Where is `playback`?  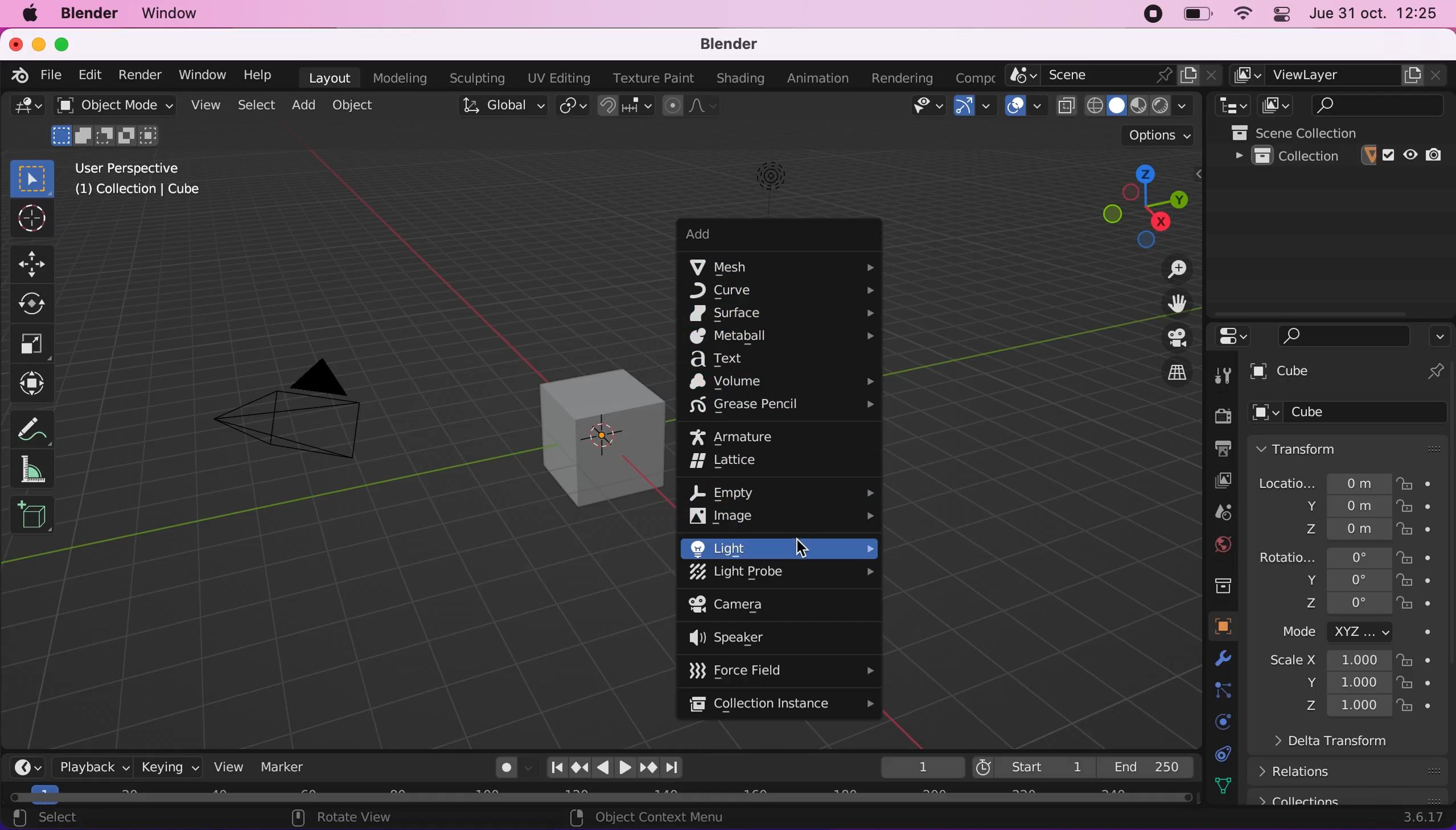 playback is located at coordinates (87, 766).